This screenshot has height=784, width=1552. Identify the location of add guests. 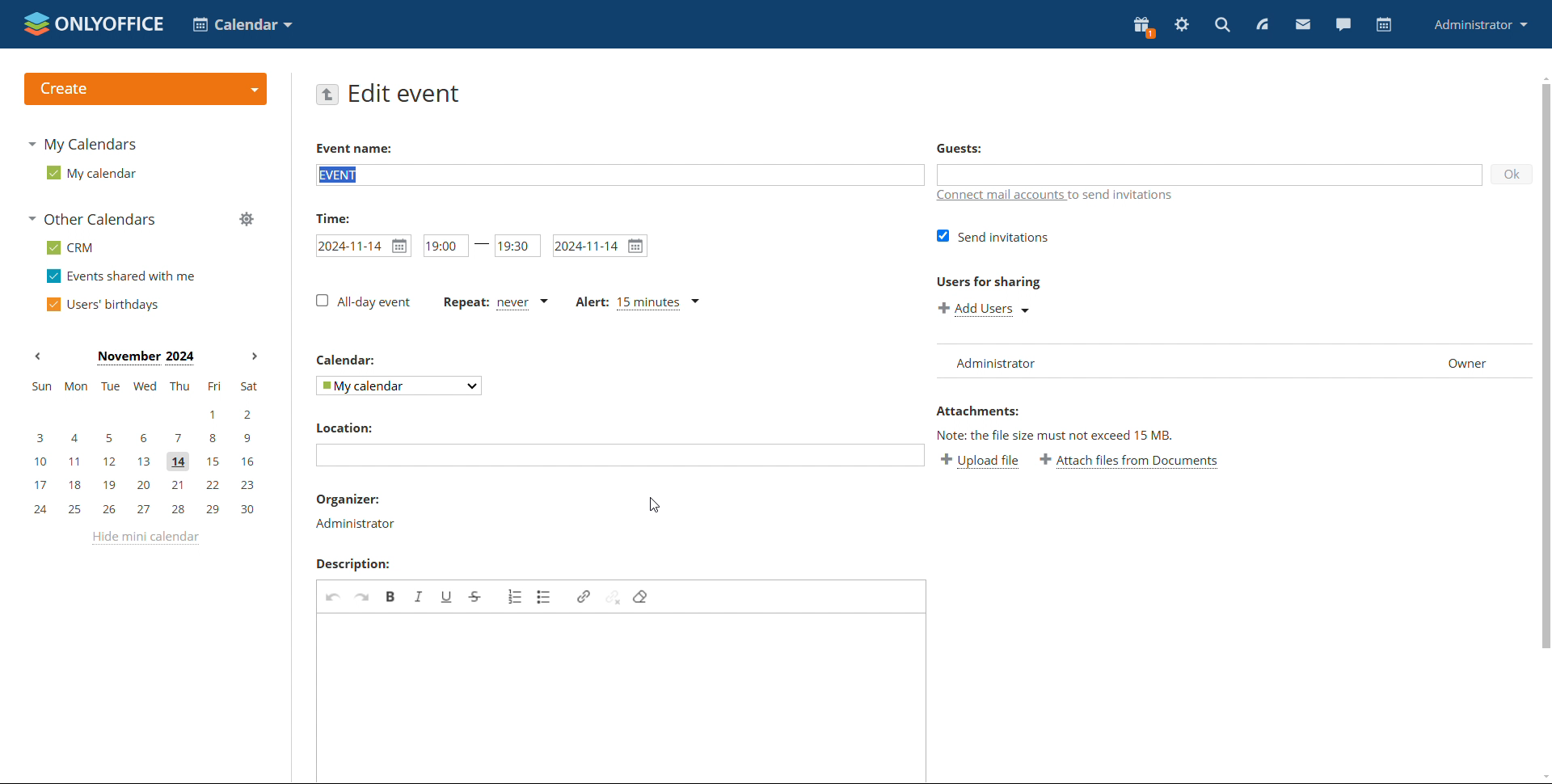
(1211, 172).